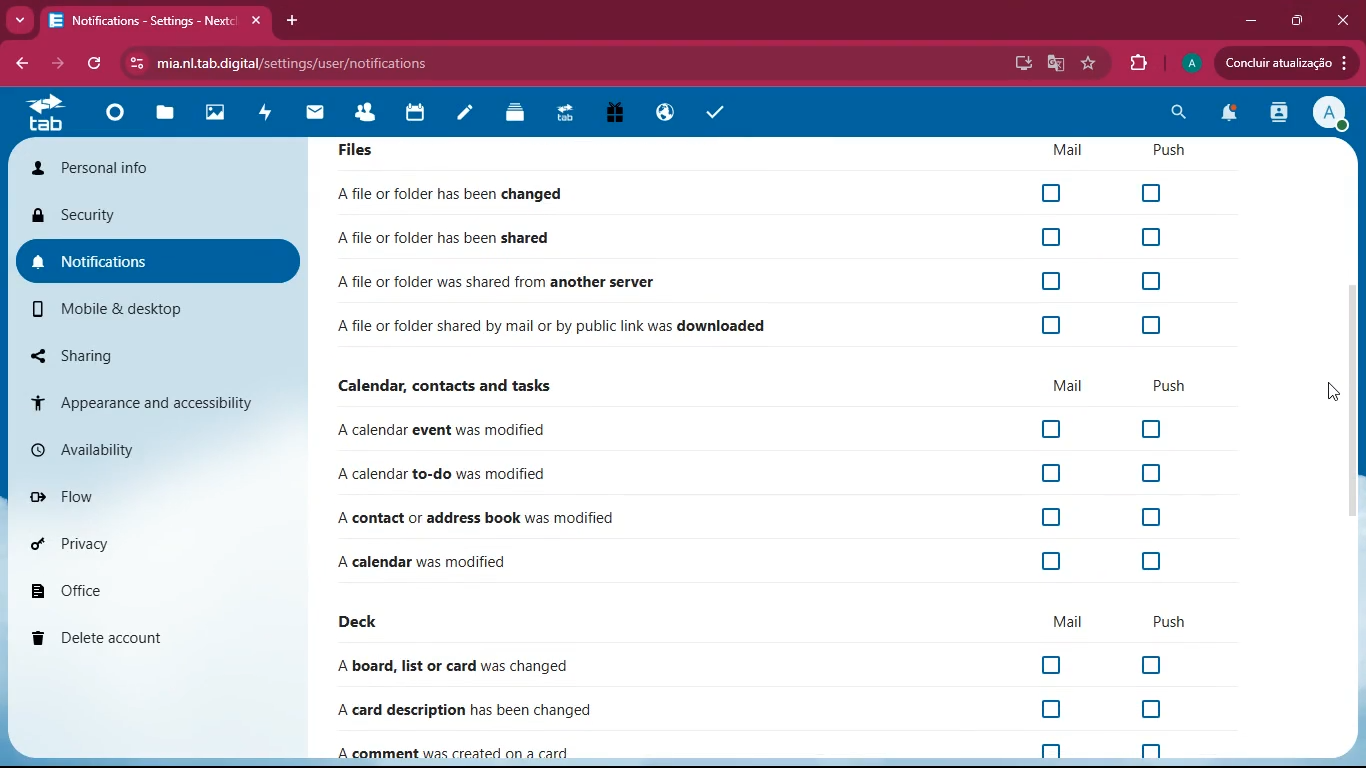  Describe the element at coordinates (1165, 385) in the screenshot. I see `push` at that location.